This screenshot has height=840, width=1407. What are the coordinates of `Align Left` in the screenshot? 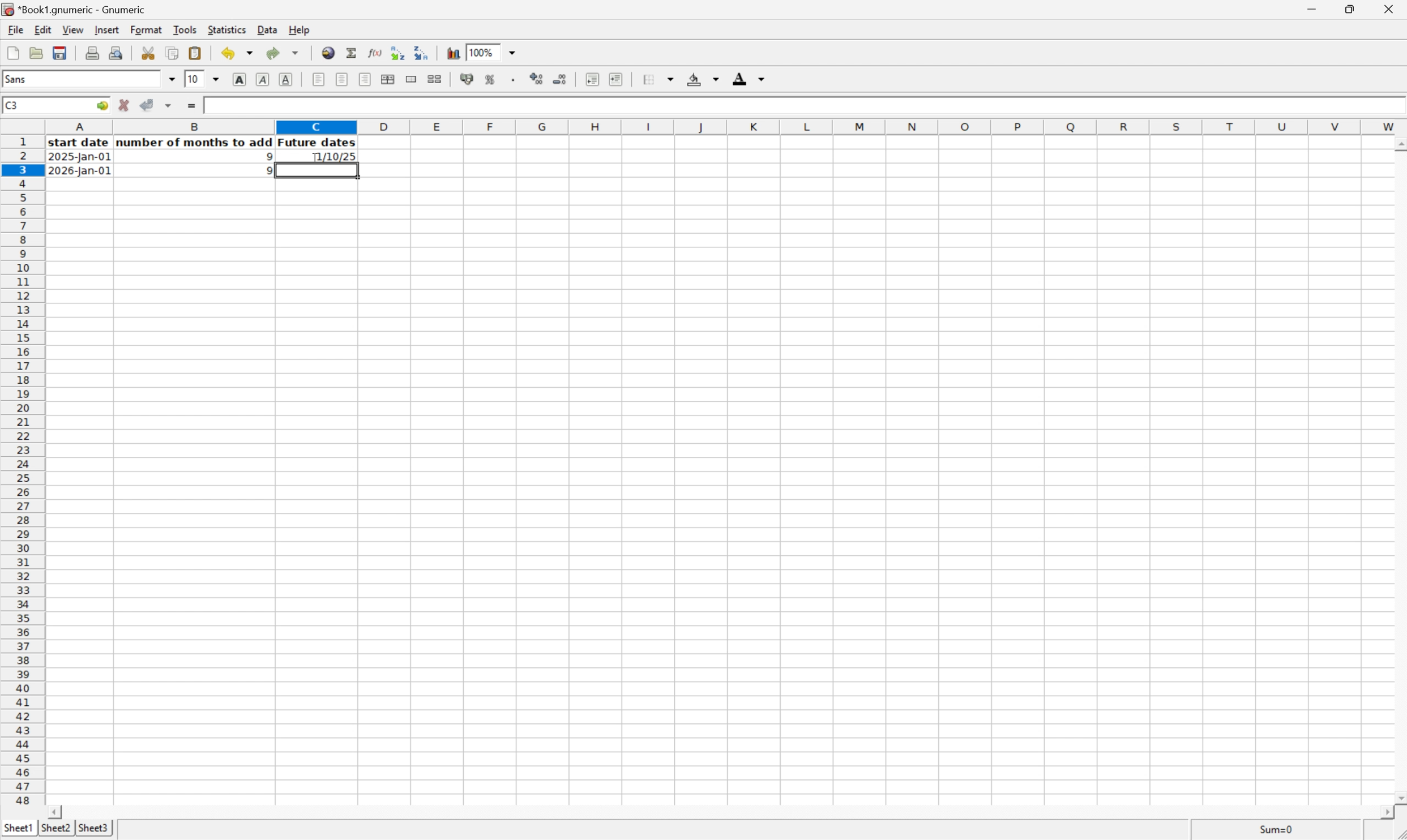 It's located at (318, 79).